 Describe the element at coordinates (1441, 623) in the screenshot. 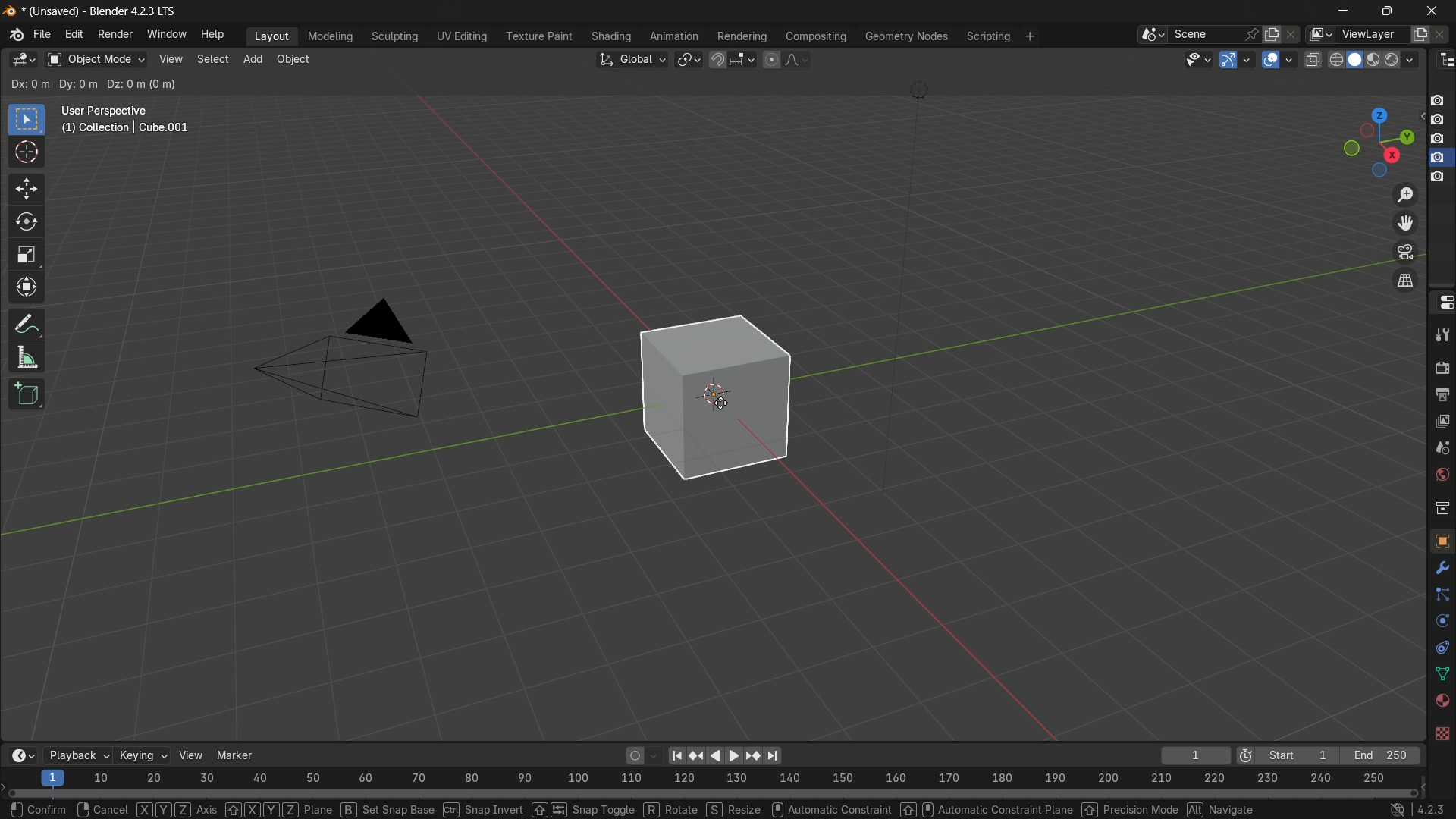

I see `physics` at that location.